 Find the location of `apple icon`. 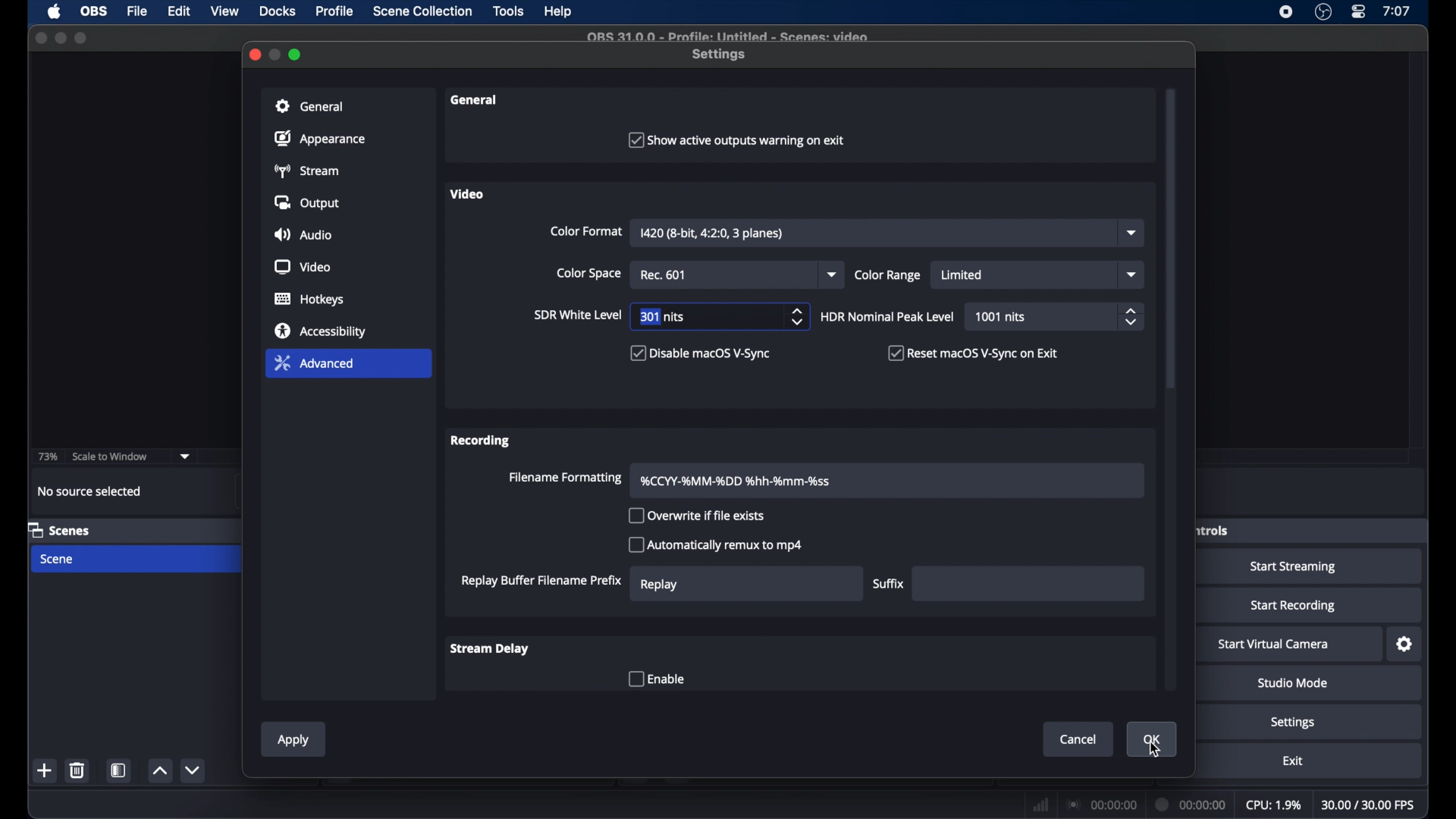

apple icon is located at coordinates (54, 11).